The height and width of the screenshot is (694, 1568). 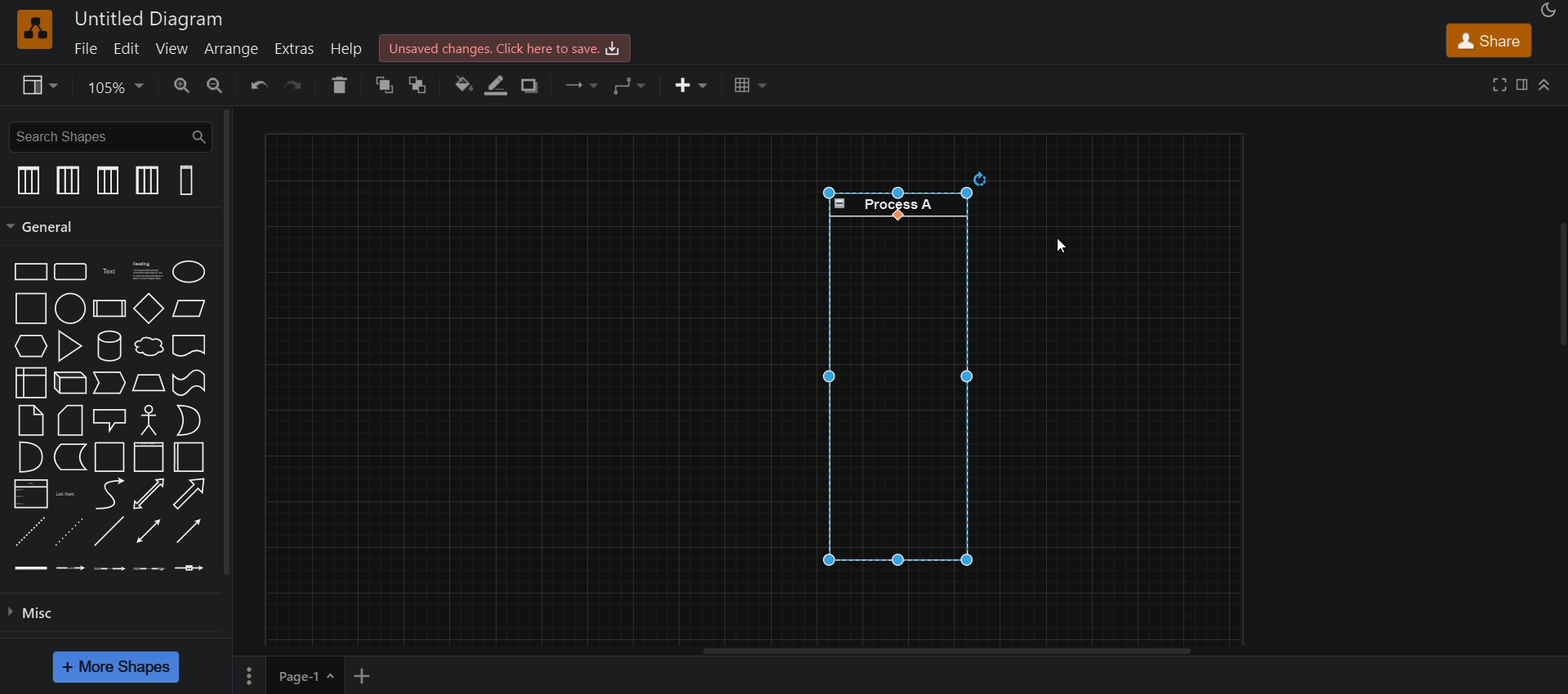 I want to click on vertical container, so click(x=187, y=458).